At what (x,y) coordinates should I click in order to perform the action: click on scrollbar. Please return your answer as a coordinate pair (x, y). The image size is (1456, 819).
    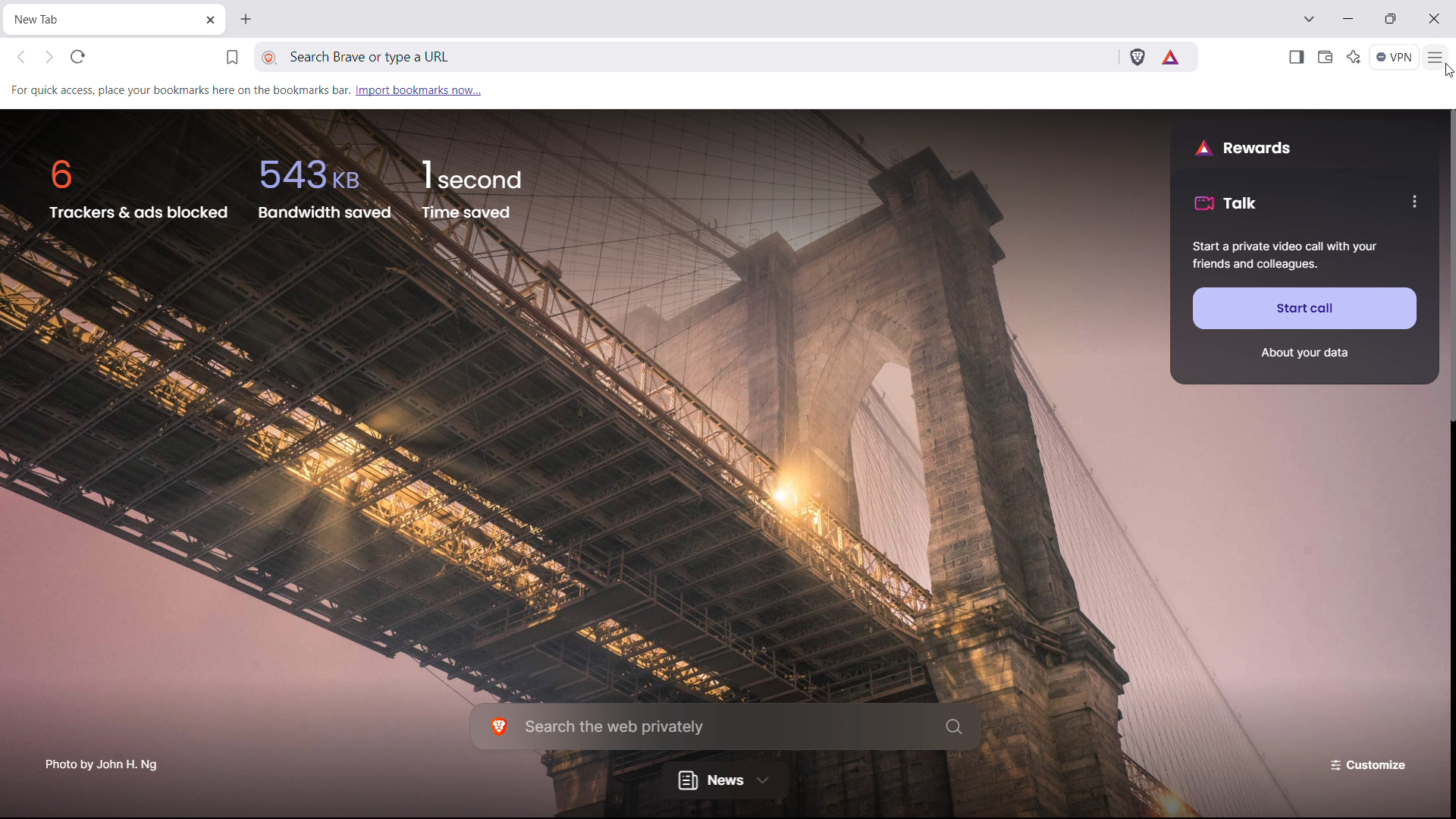
    Looking at the image, I should click on (1453, 265).